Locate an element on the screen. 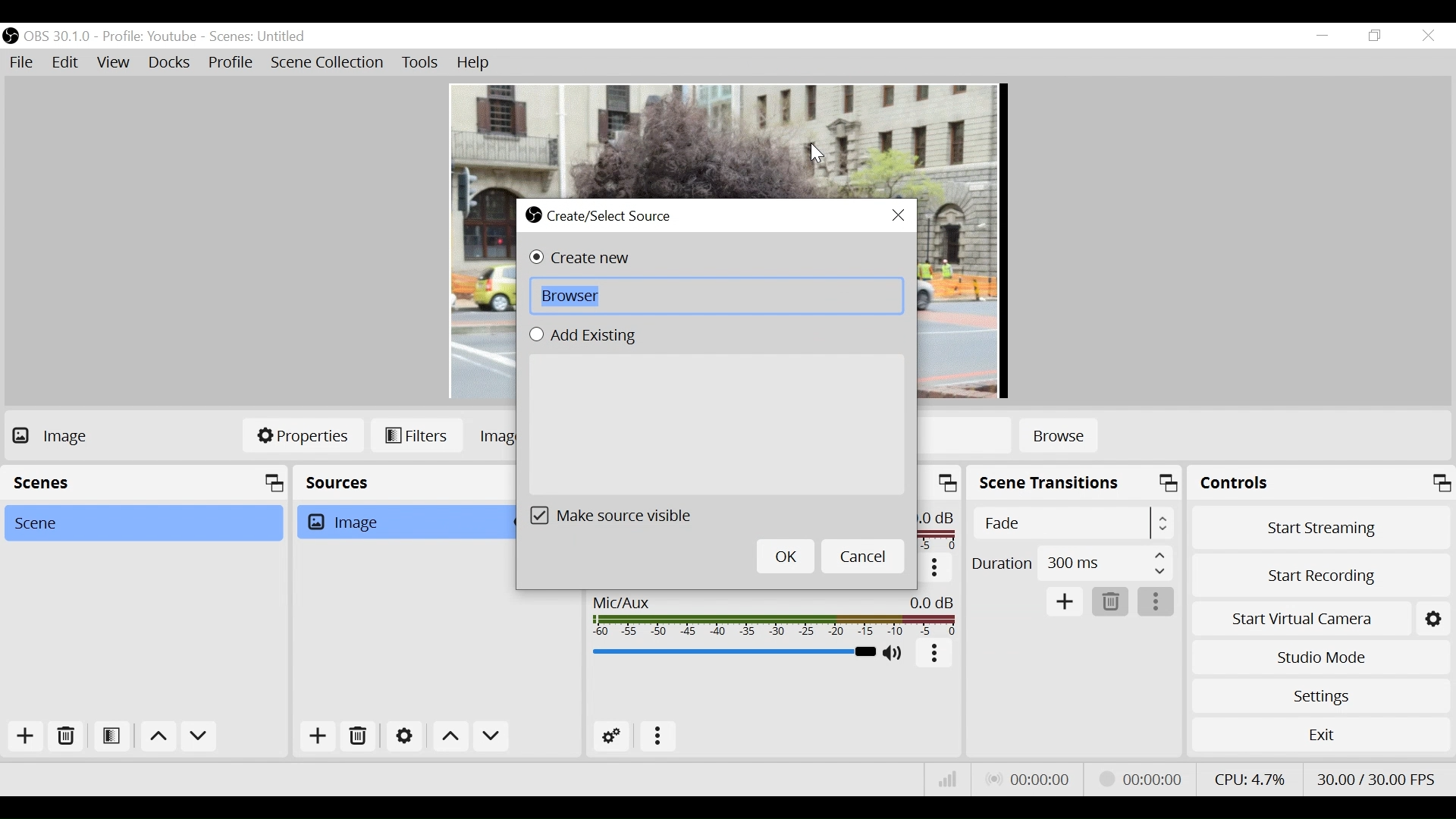 The width and height of the screenshot is (1456, 819). Delete is located at coordinates (68, 738).